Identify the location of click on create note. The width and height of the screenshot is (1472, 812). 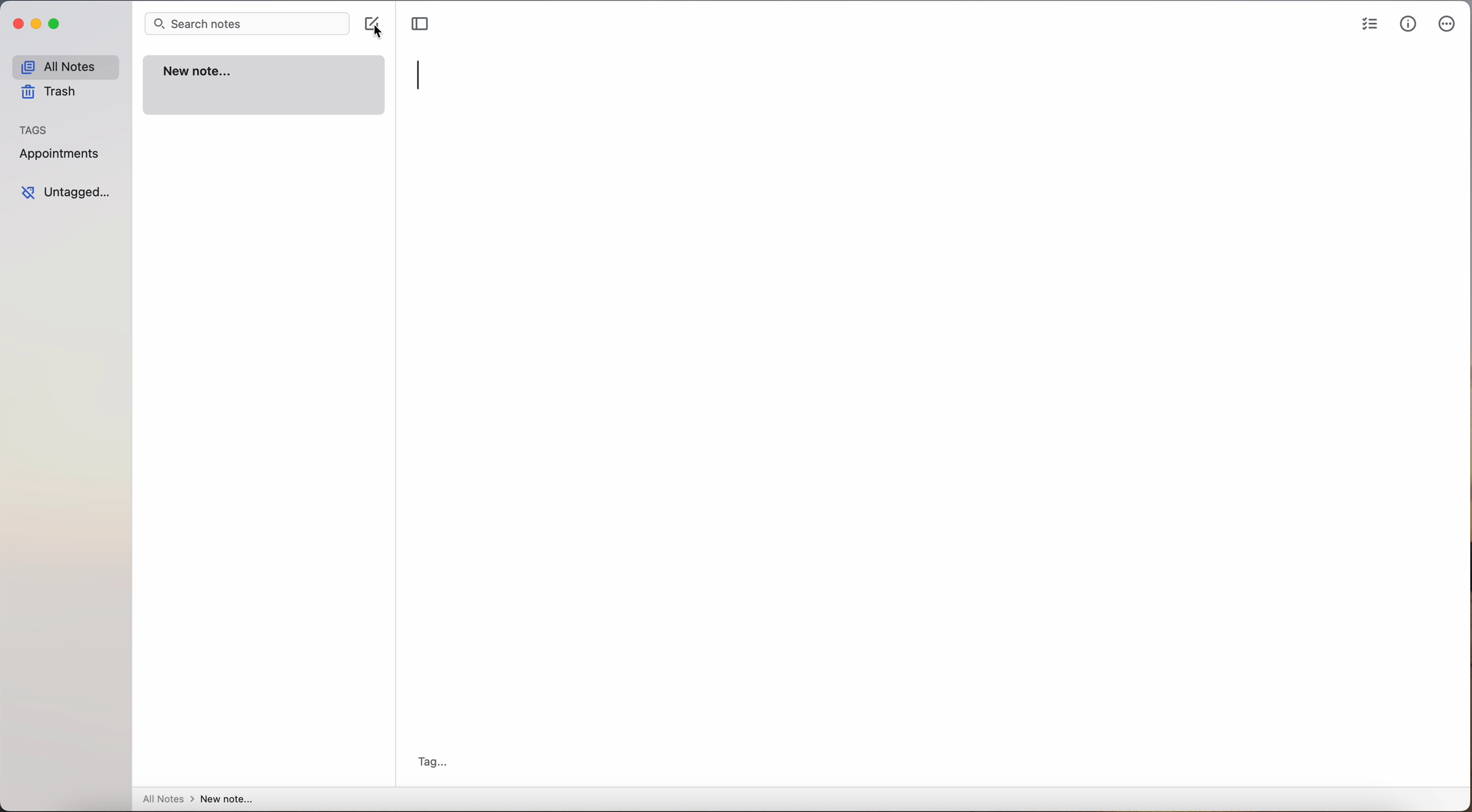
(373, 28).